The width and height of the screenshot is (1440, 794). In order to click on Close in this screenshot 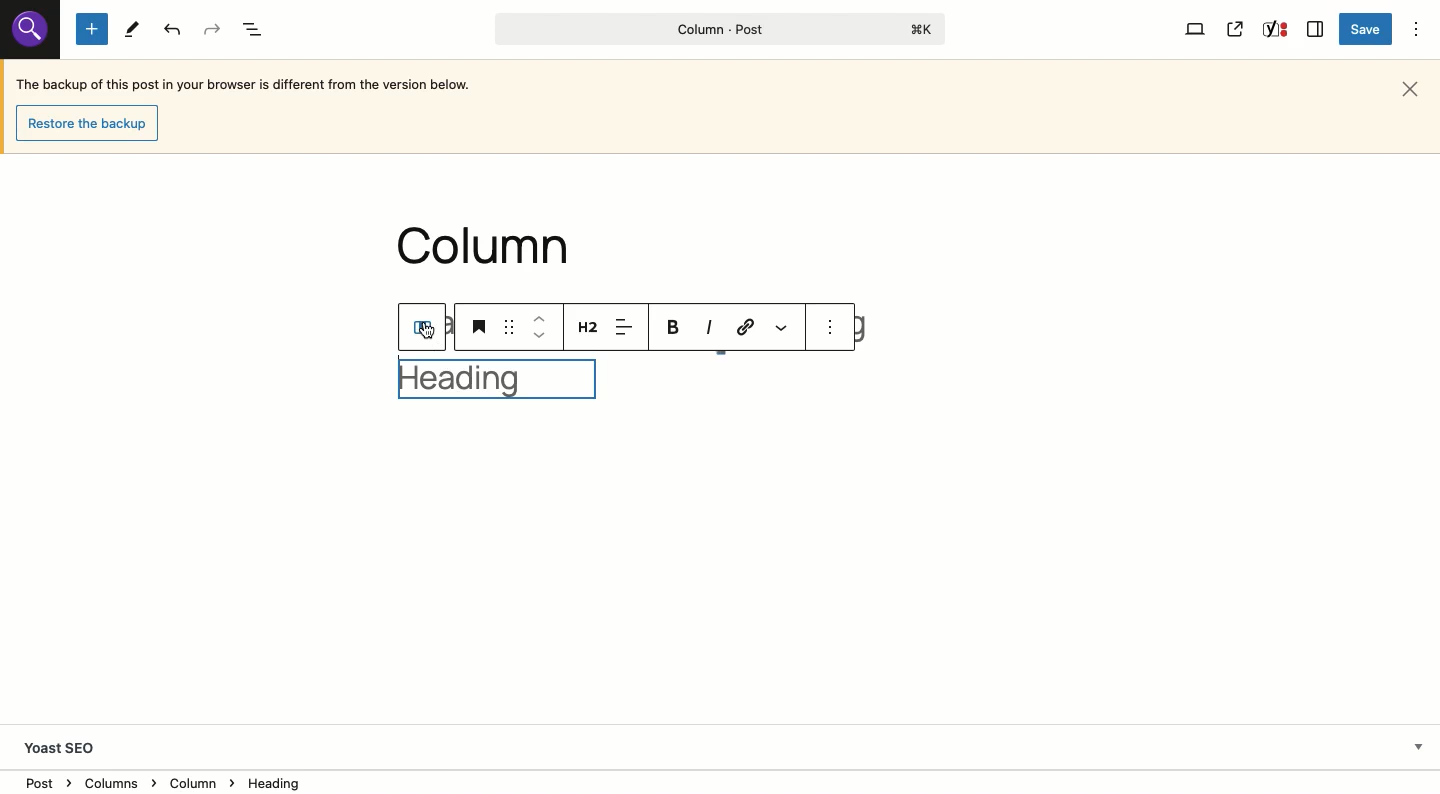, I will do `click(1414, 87)`.